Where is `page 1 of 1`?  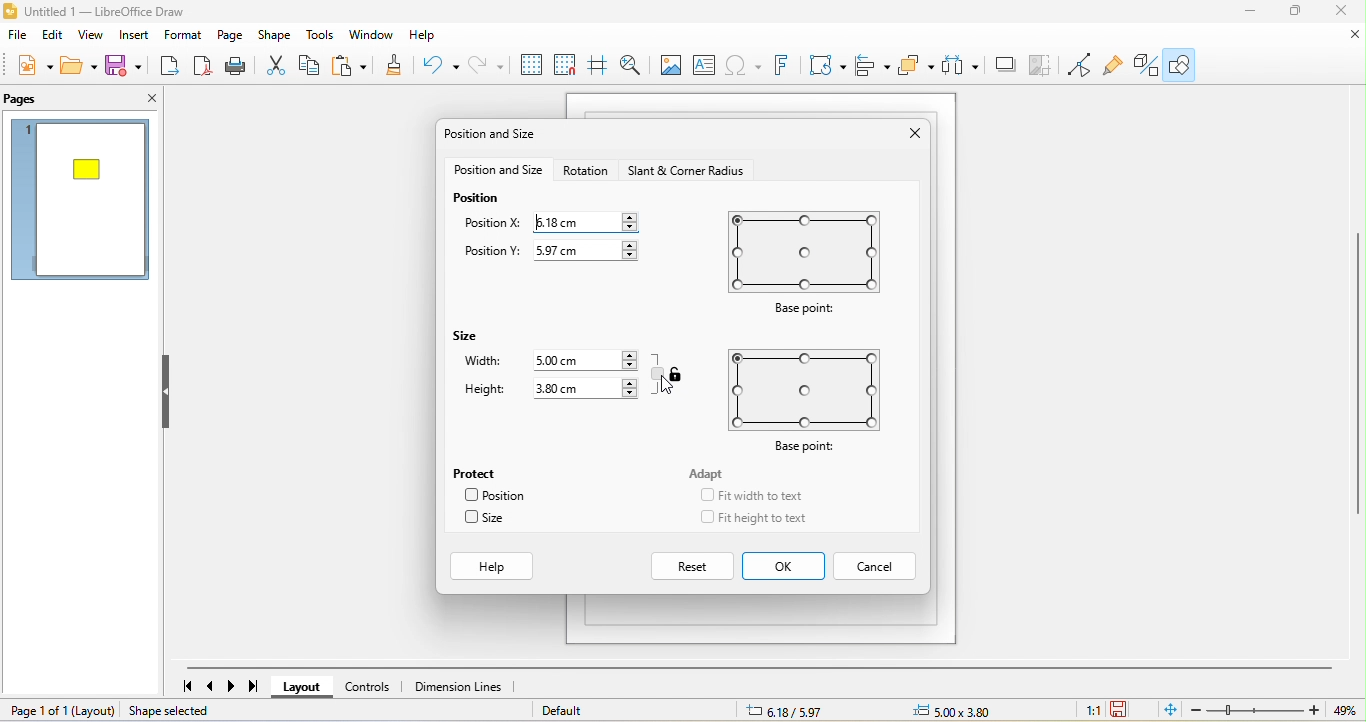
page 1 of 1 is located at coordinates (61, 711).